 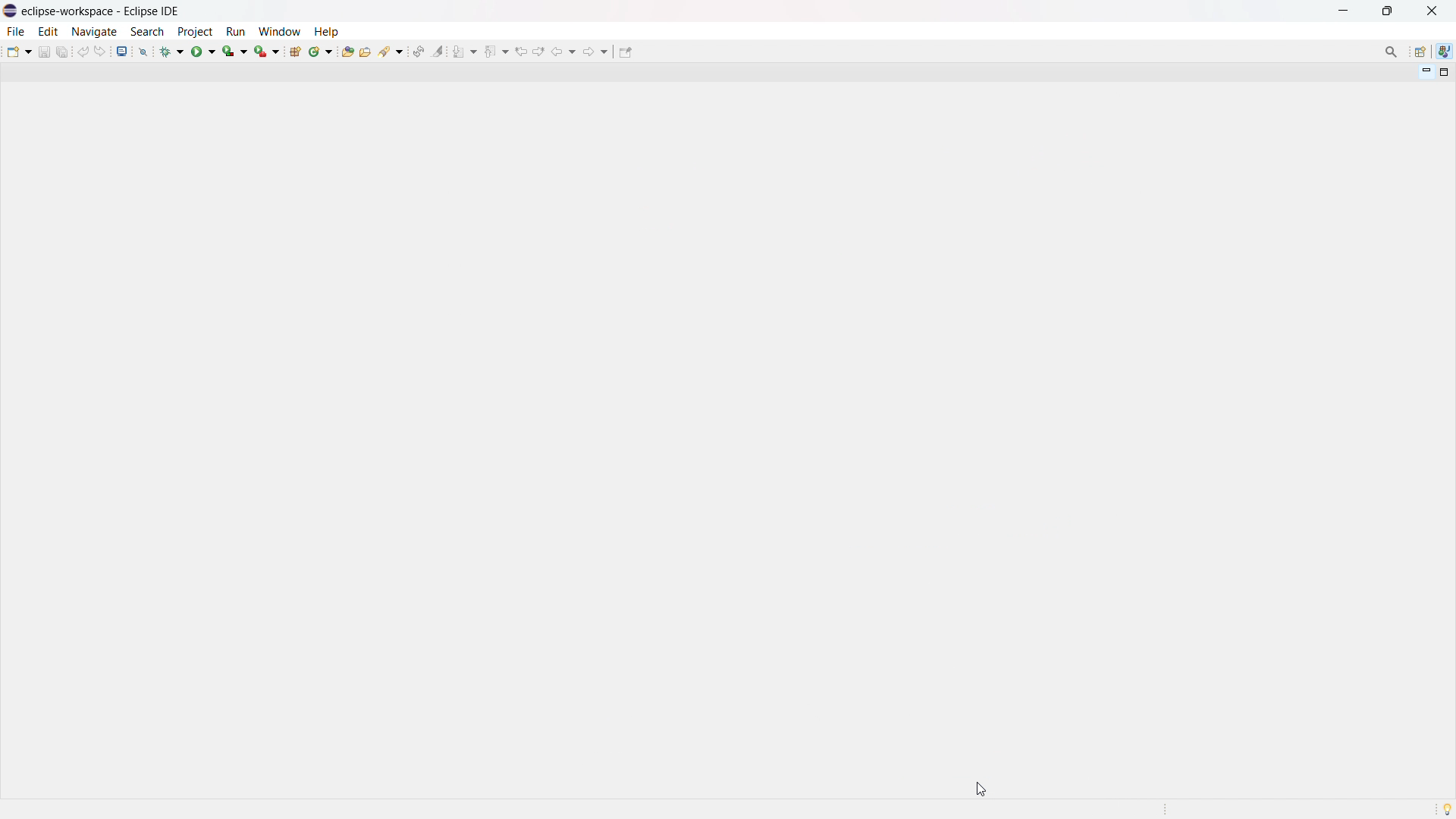 I want to click on next annotation, so click(x=465, y=51).